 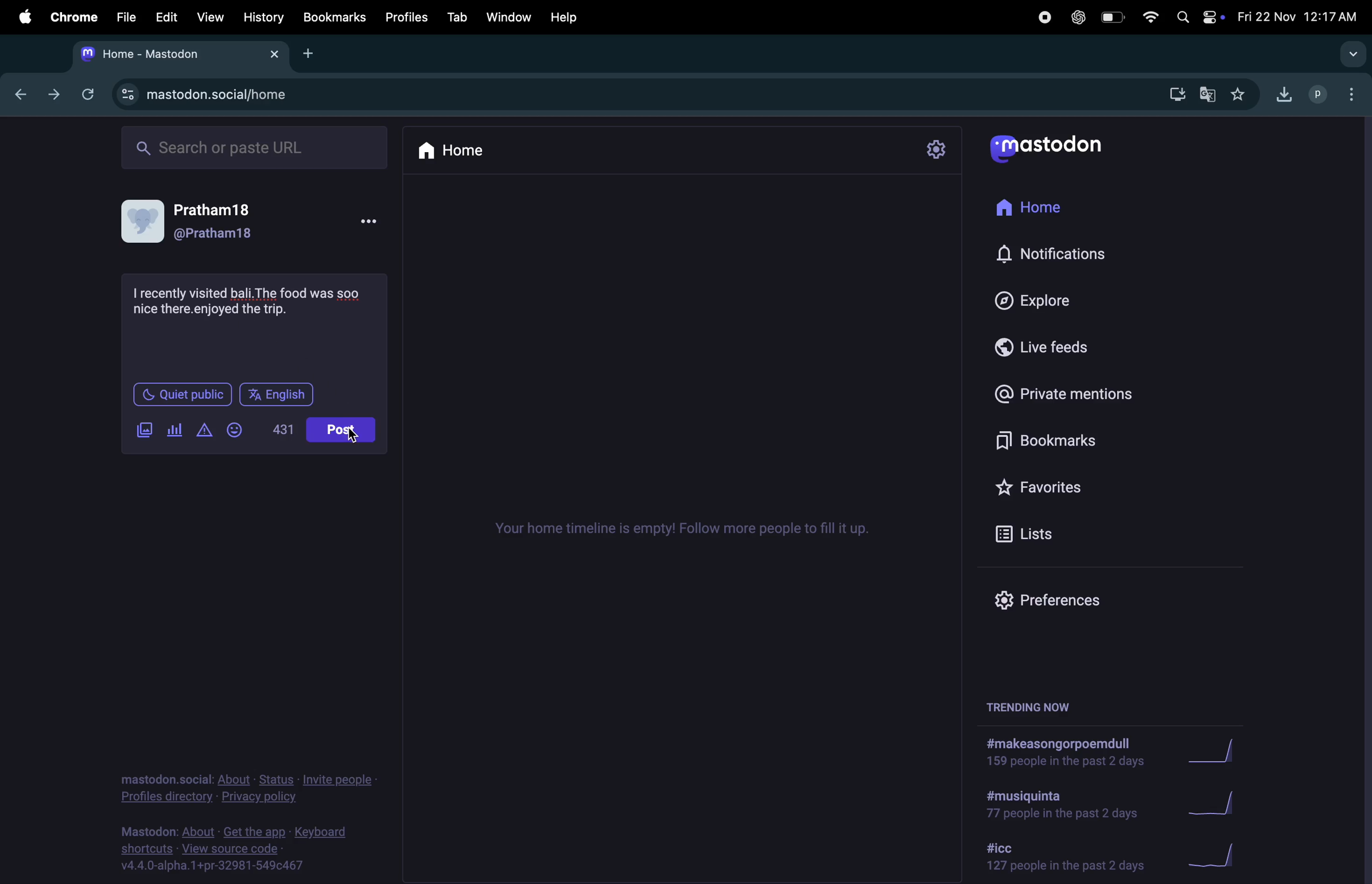 What do you see at coordinates (139, 431) in the screenshot?
I see `add image` at bounding box center [139, 431].